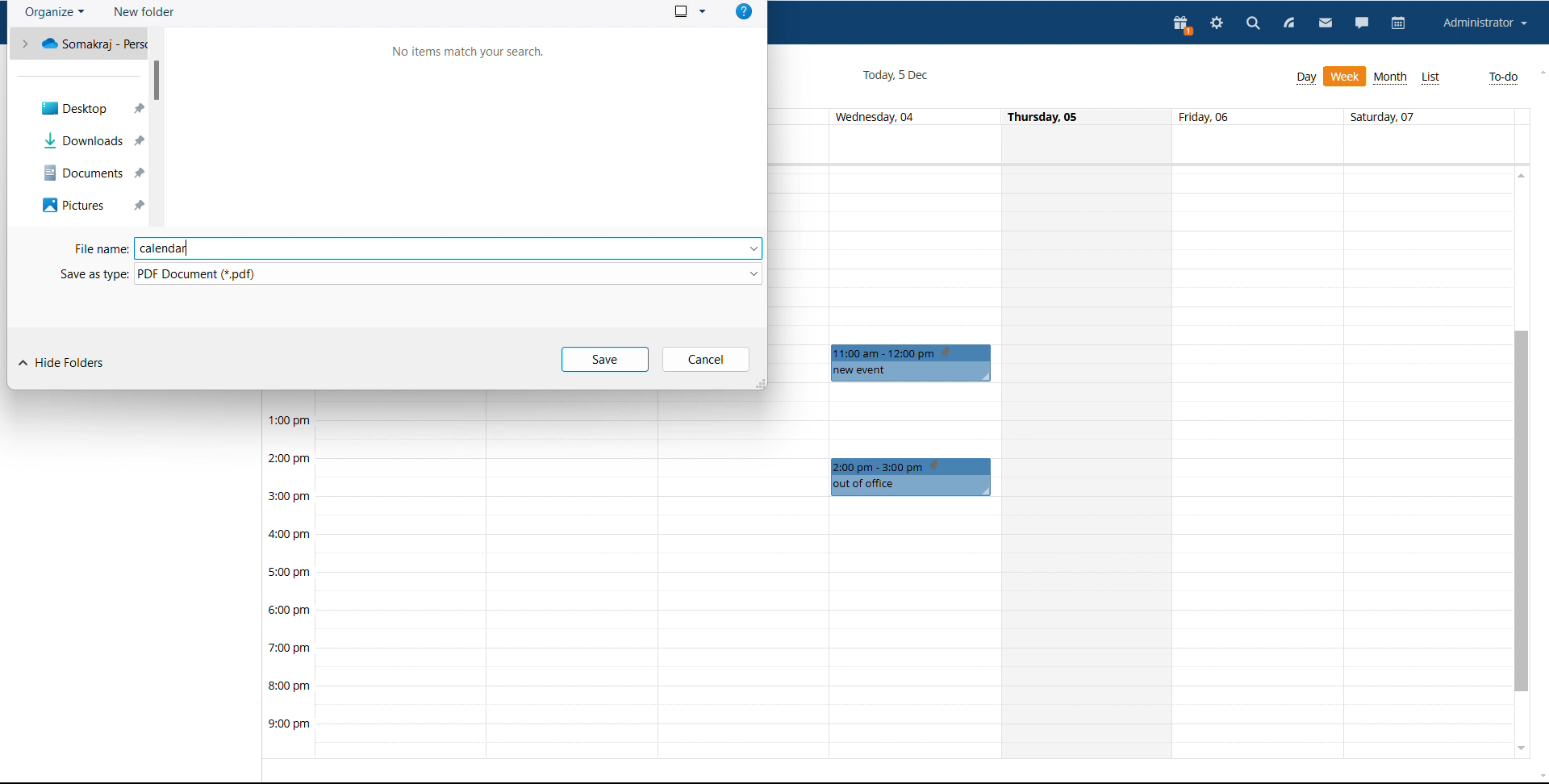 The image size is (1549, 784). What do you see at coordinates (1184, 27) in the screenshot?
I see `present` at bounding box center [1184, 27].